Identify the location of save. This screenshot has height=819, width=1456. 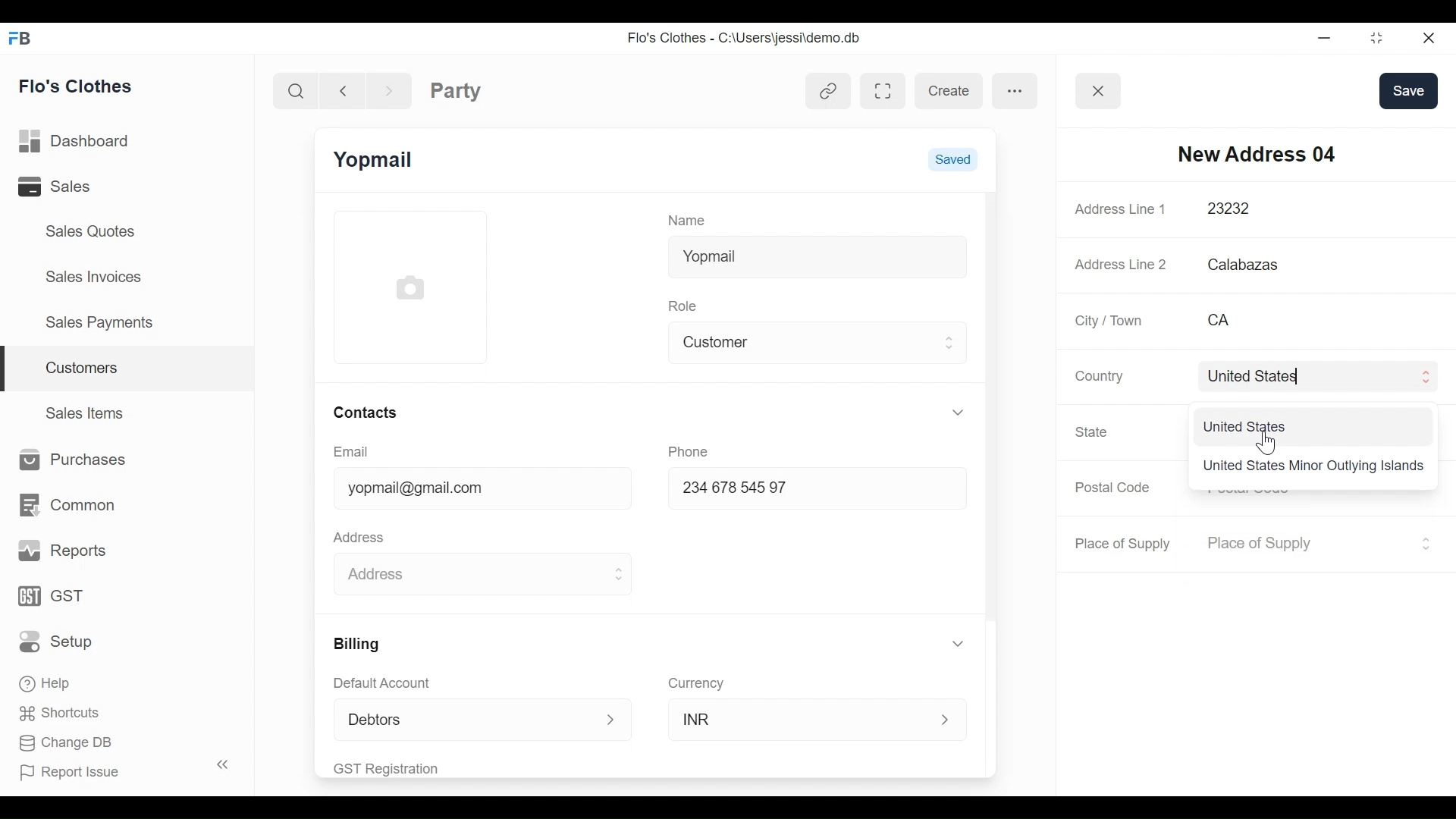
(1408, 90).